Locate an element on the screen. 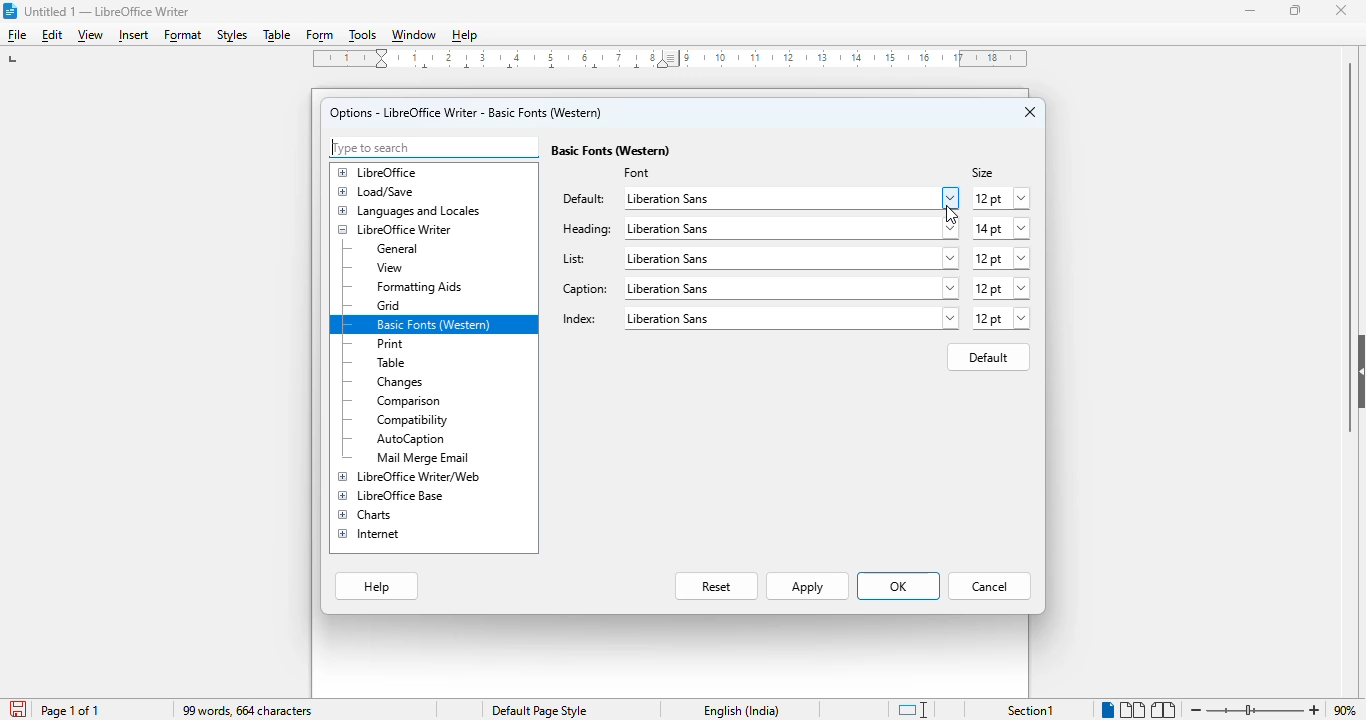 This screenshot has width=1366, height=720. table is located at coordinates (392, 363).